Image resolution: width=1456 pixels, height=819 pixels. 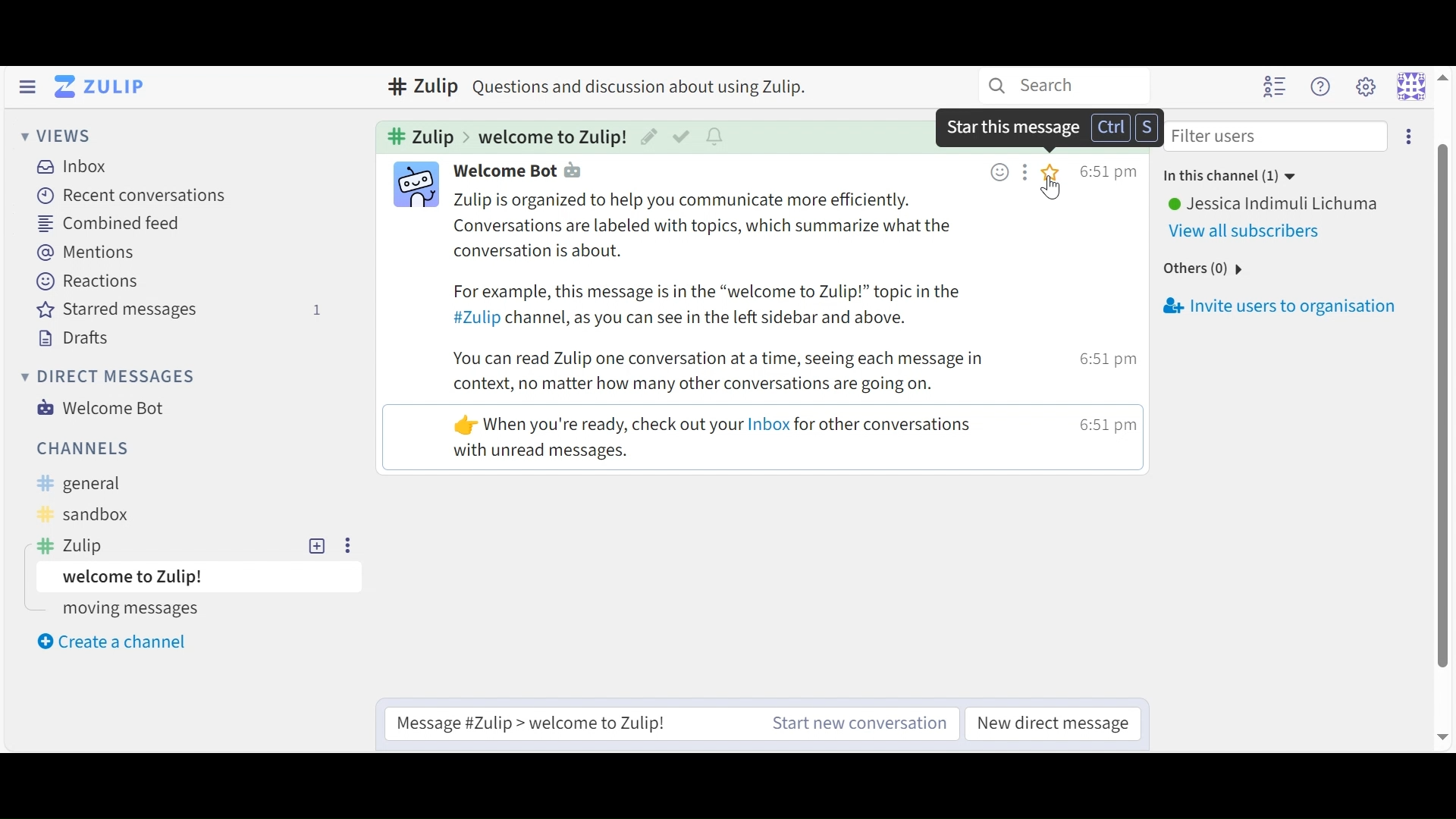 What do you see at coordinates (1053, 722) in the screenshot?
I see `New Direct Message` at bounding box center [1053, 722].